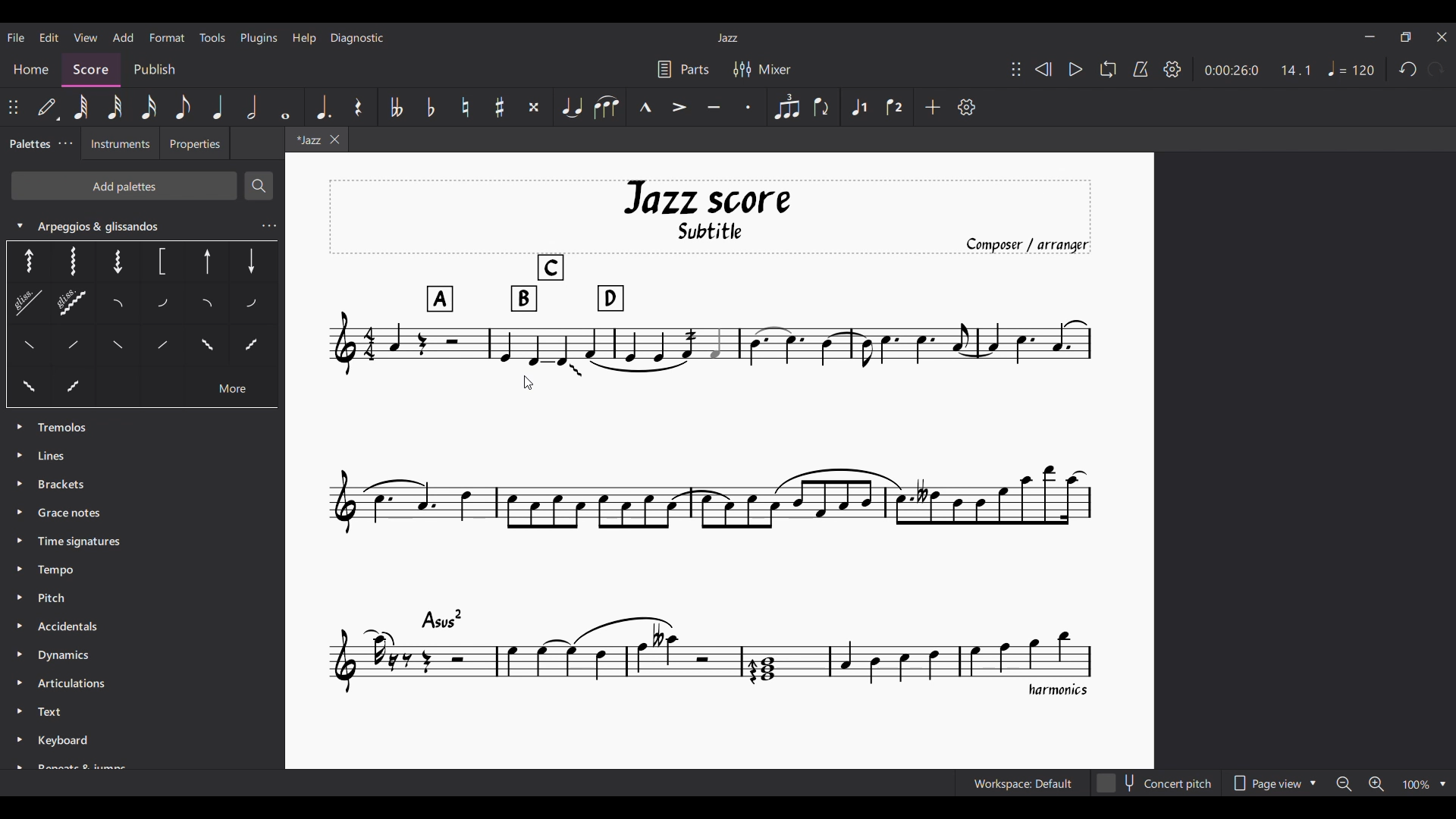 The height and width of the screenshot is (819, 1456). Describe the element at coordinates (645, 107) in the screenshot. I see `Marcato` at that location.